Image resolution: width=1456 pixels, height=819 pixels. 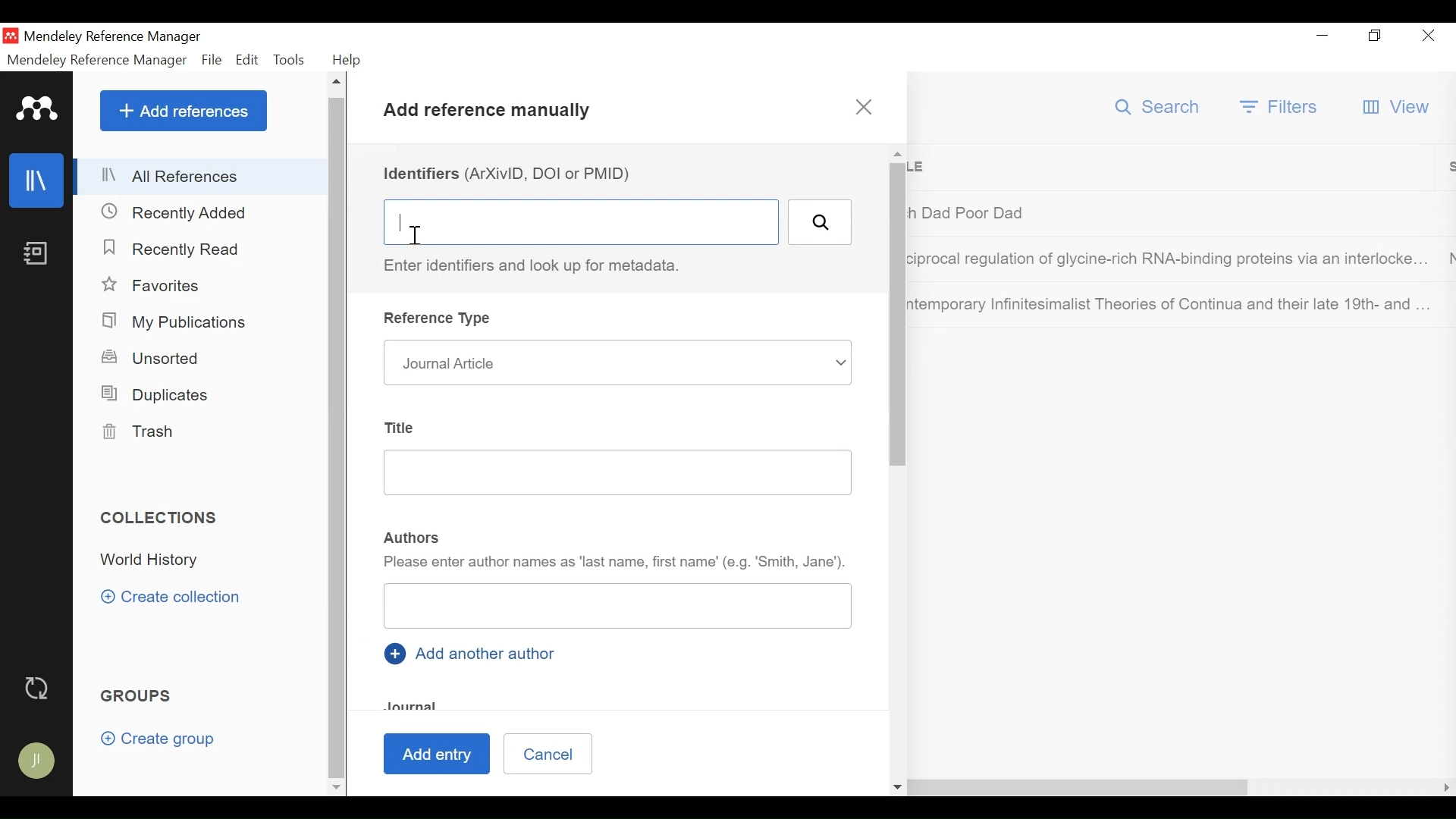 What do you see at coordinates (171, 598) in the screenshot?
I see `Create Collection` at bounding box center [171, 598].